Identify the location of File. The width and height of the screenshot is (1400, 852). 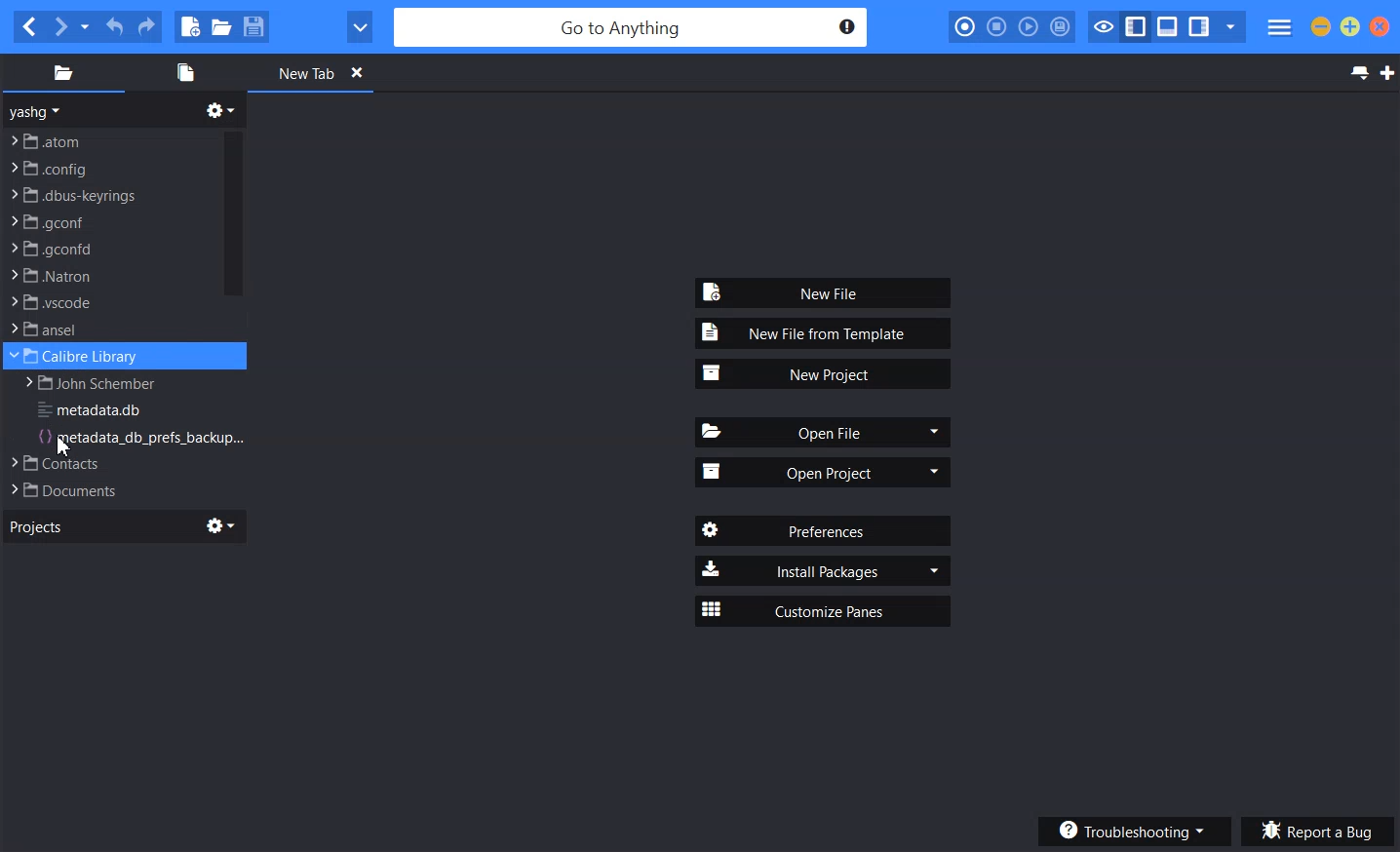
(99, 384).